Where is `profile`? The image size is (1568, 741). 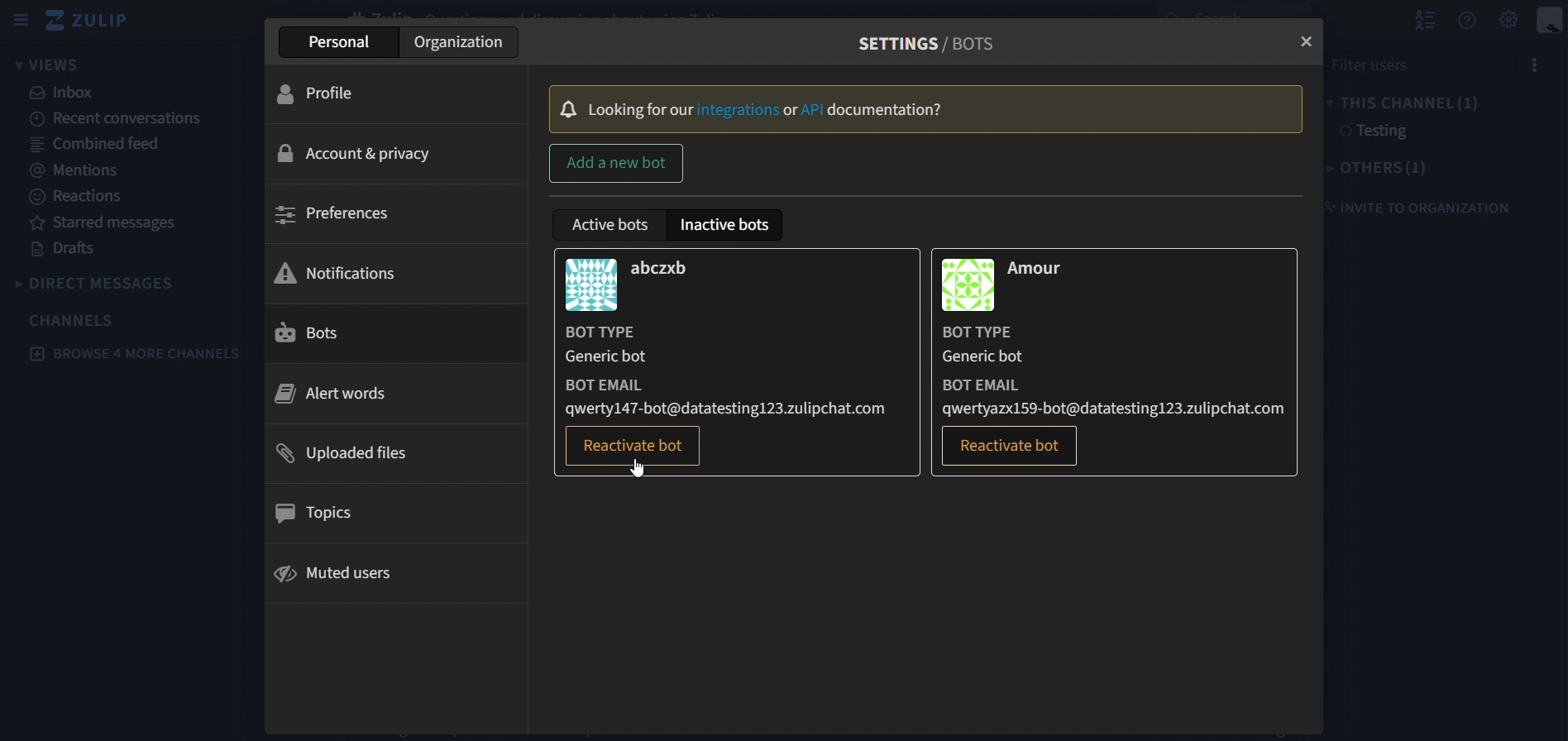 profile is located at coordinates (327, 93).